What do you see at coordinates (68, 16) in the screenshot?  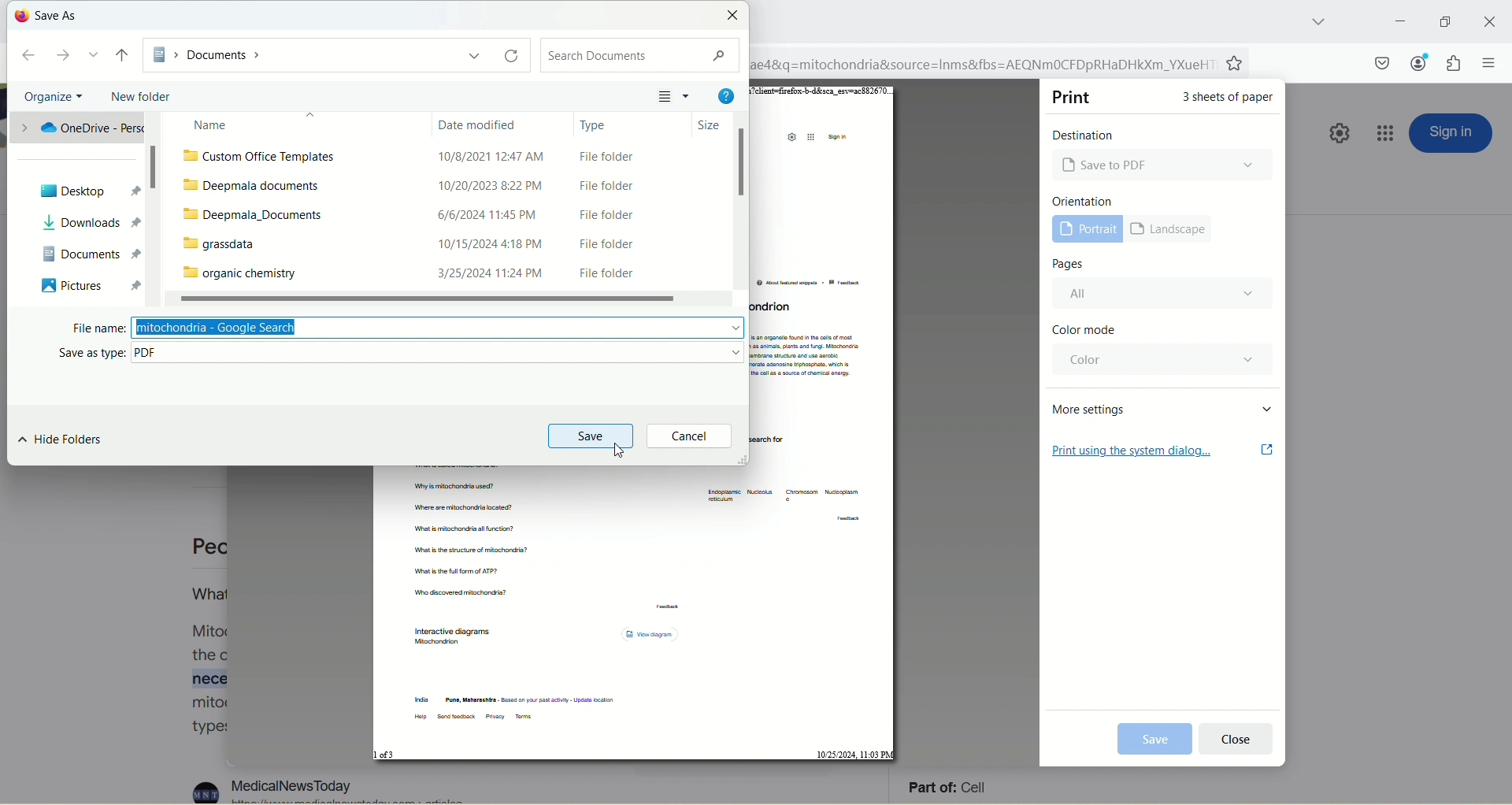 I see `save as` at bounding box center [68, 16].